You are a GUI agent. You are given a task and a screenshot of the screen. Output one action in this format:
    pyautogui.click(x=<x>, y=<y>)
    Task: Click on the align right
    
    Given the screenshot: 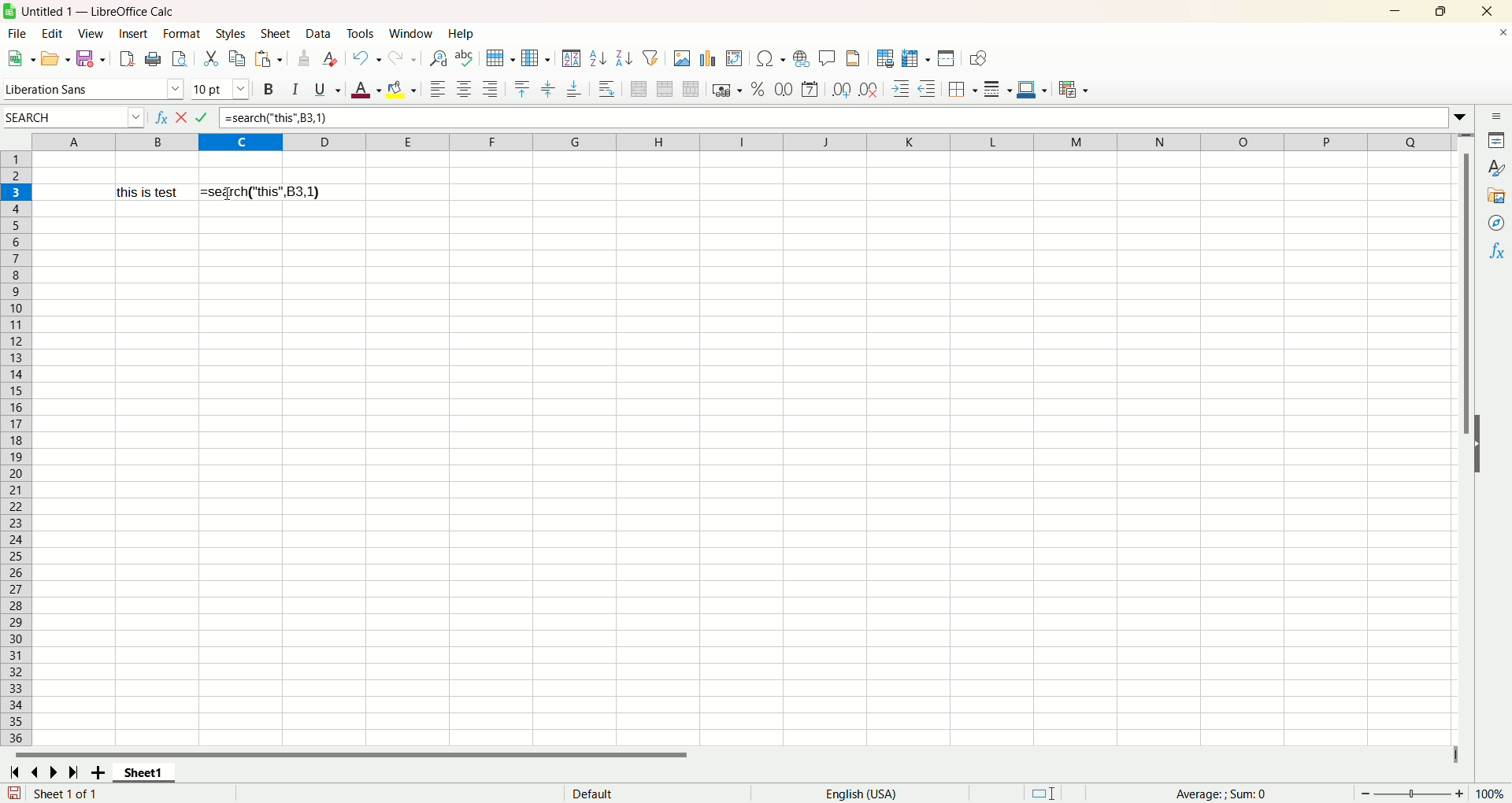 What is the action you would take?
    pyautogui.click(x=490, y=89)
    